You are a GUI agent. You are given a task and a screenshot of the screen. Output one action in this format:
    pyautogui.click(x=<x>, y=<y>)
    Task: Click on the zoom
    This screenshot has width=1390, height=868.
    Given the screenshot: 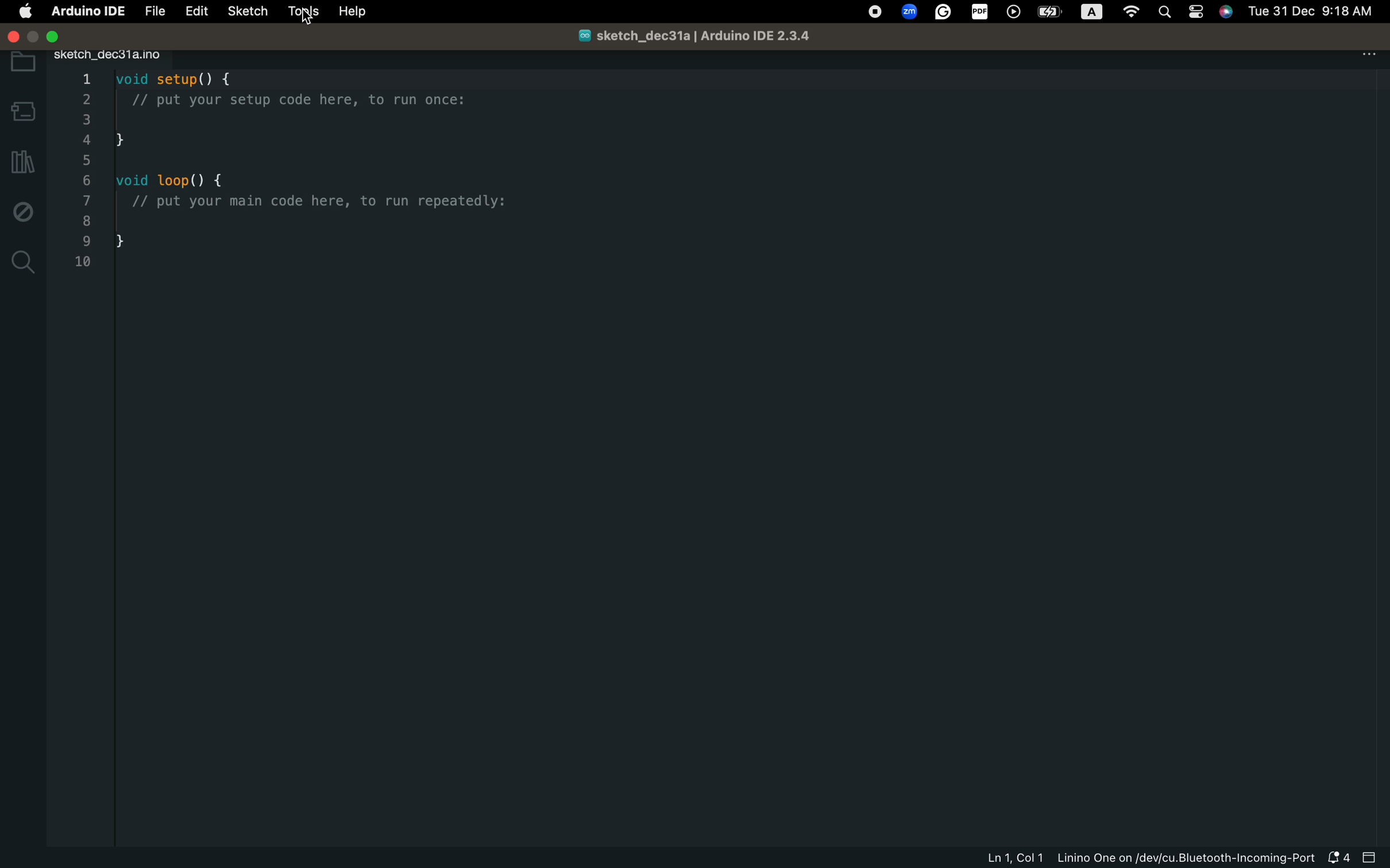 What is the action you would take?
    pyautogui.click(x=908, y=13)
    